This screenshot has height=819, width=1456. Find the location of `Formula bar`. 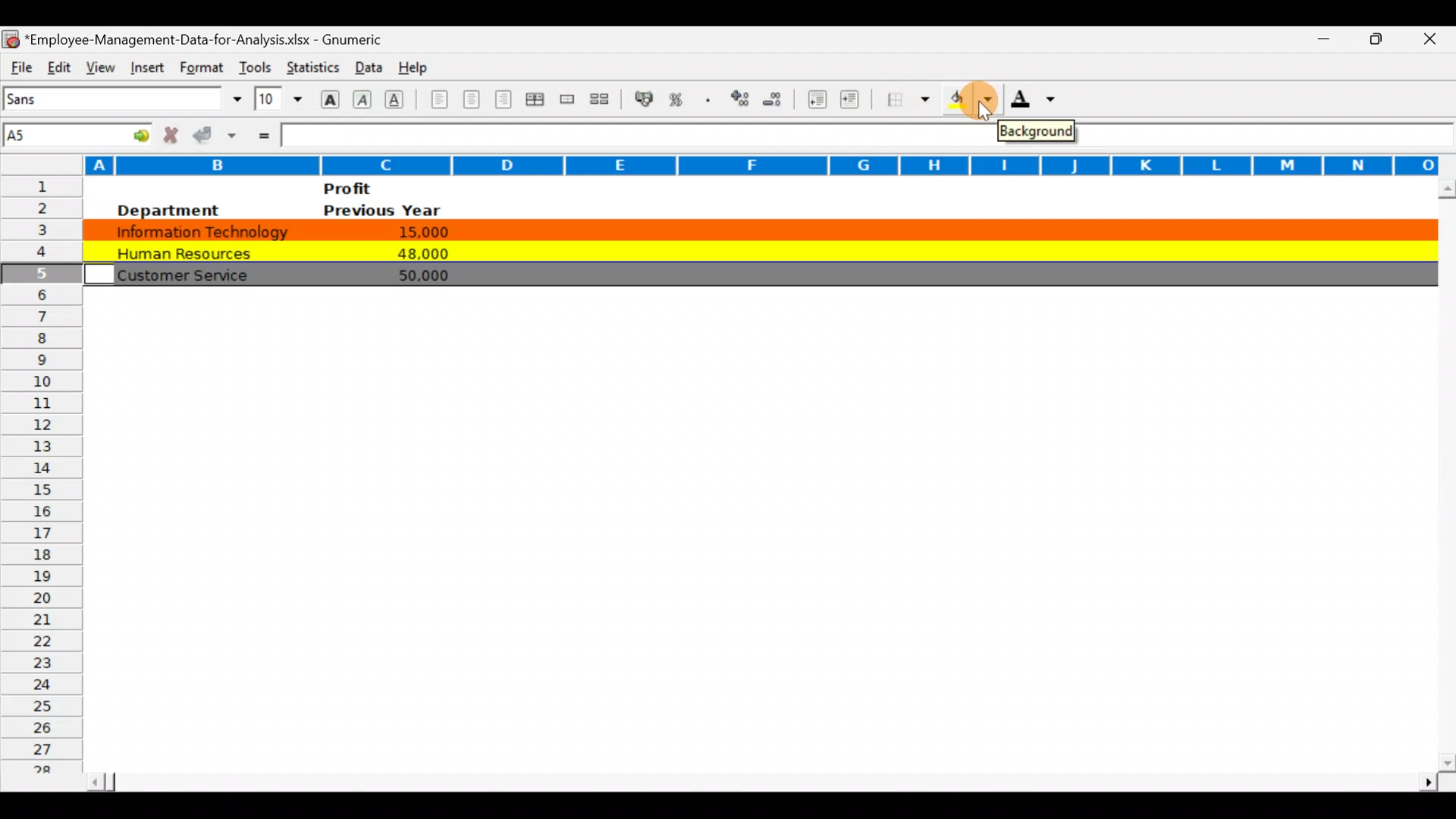

Formula bar is located at coordinates (632, 137).